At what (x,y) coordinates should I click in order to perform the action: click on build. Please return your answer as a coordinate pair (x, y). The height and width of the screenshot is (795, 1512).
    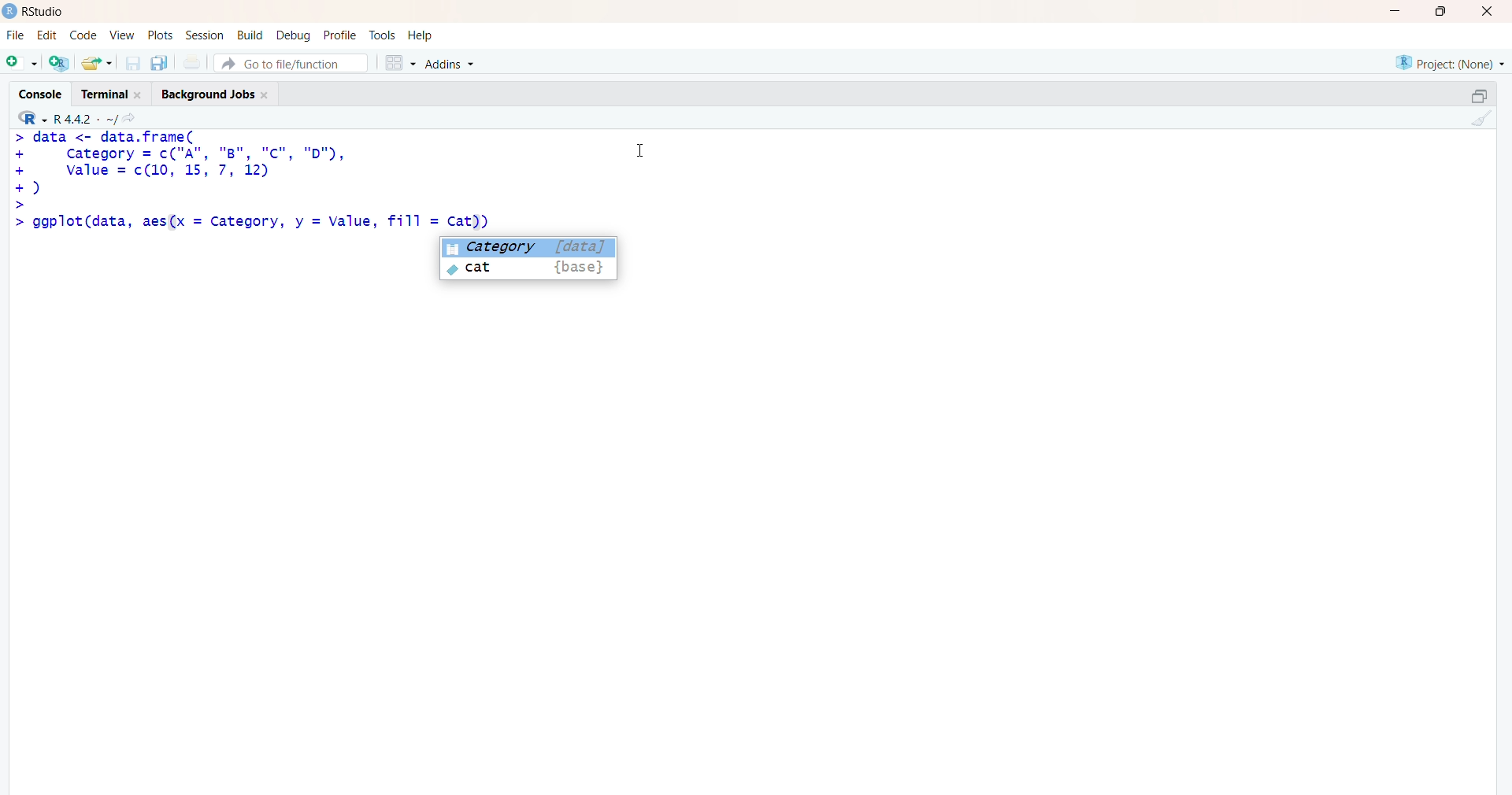
    Looking at the image, I should click on (249, 35).